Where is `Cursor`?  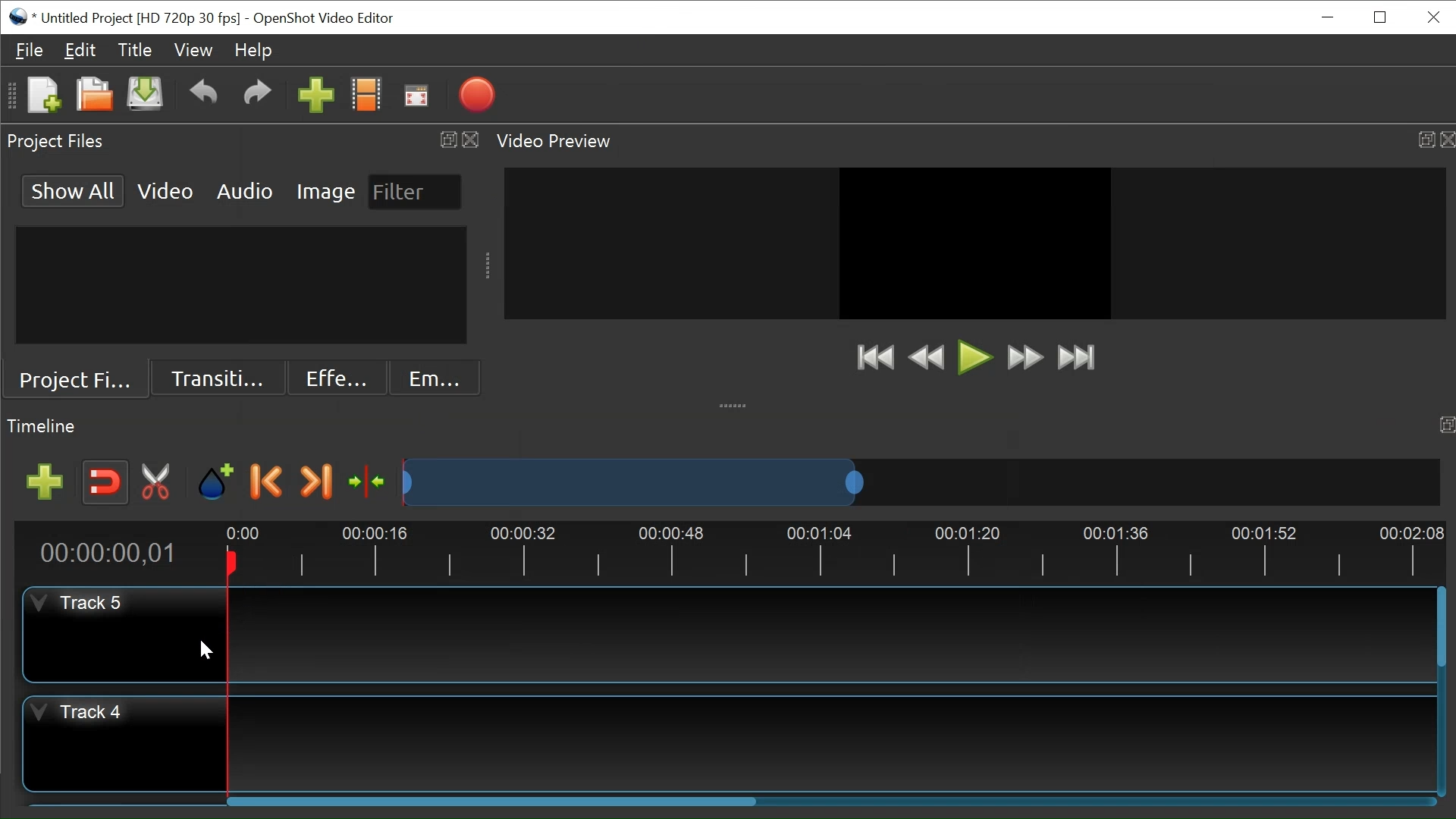
Cursor is located at coordinates (204, 651).